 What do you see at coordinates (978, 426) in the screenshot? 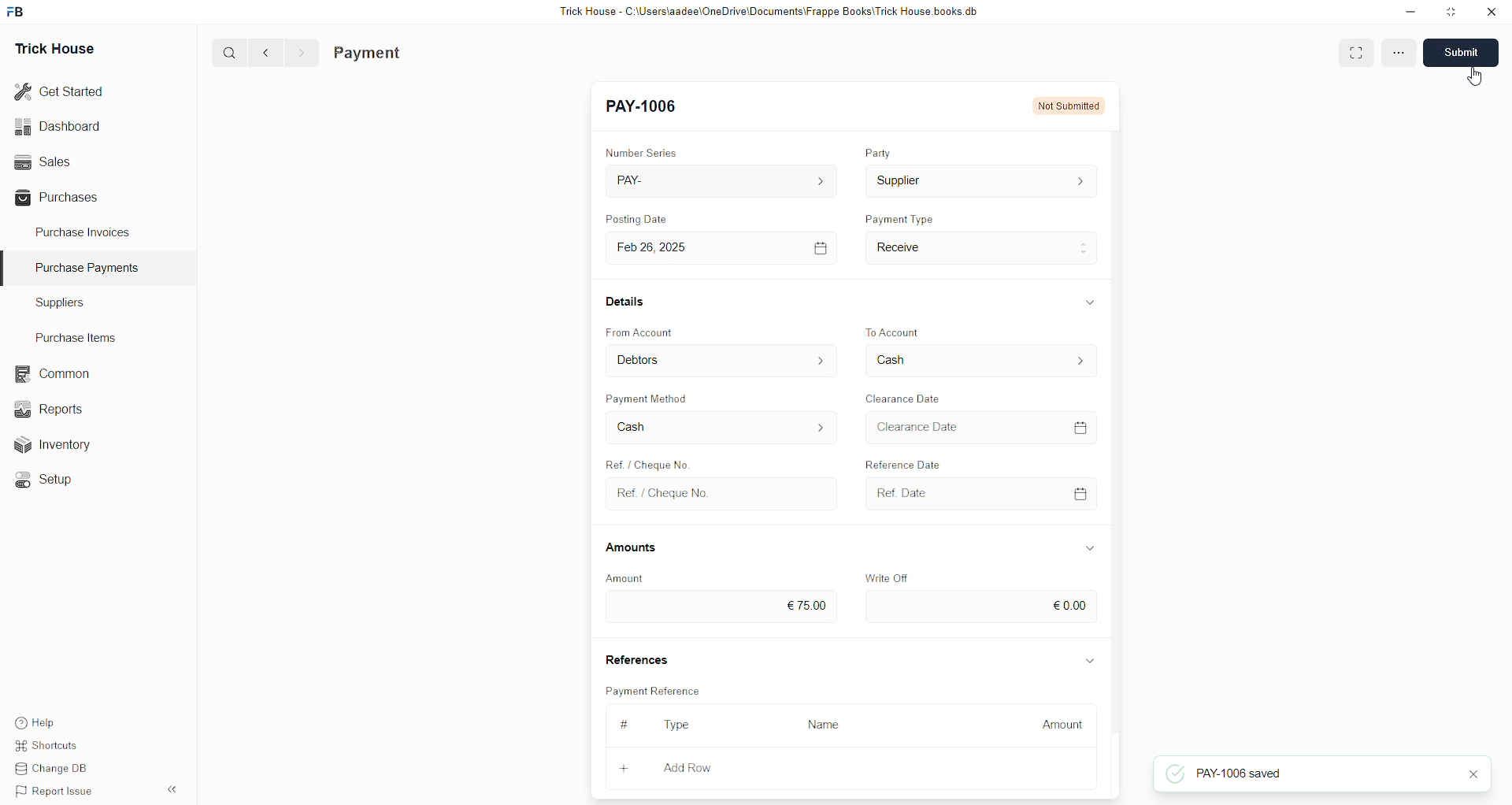
I see `Clearance Date ` at bounding box center [978, 426].